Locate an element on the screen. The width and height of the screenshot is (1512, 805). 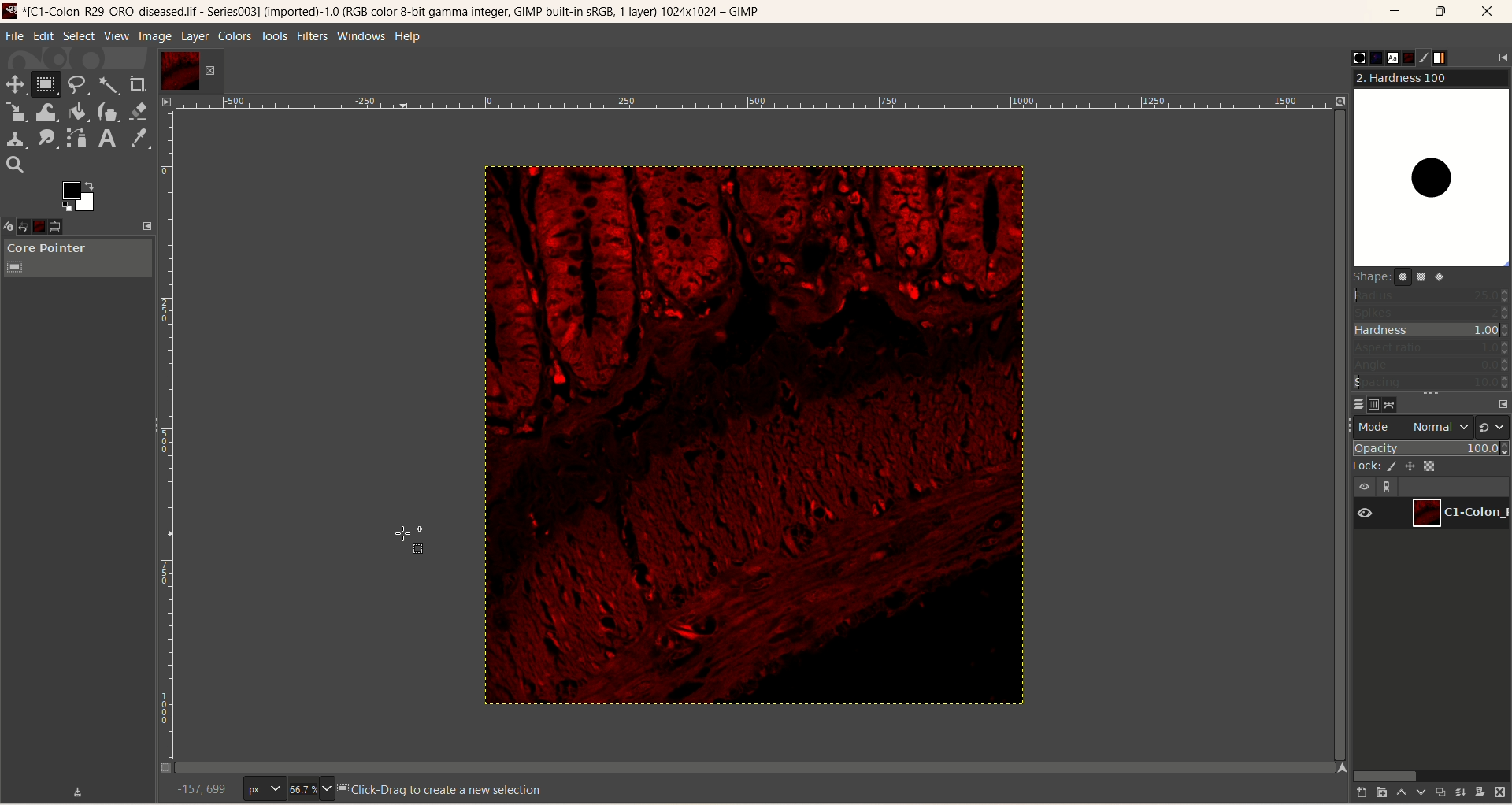
delete this layer is located at coordinates (1500, 792).